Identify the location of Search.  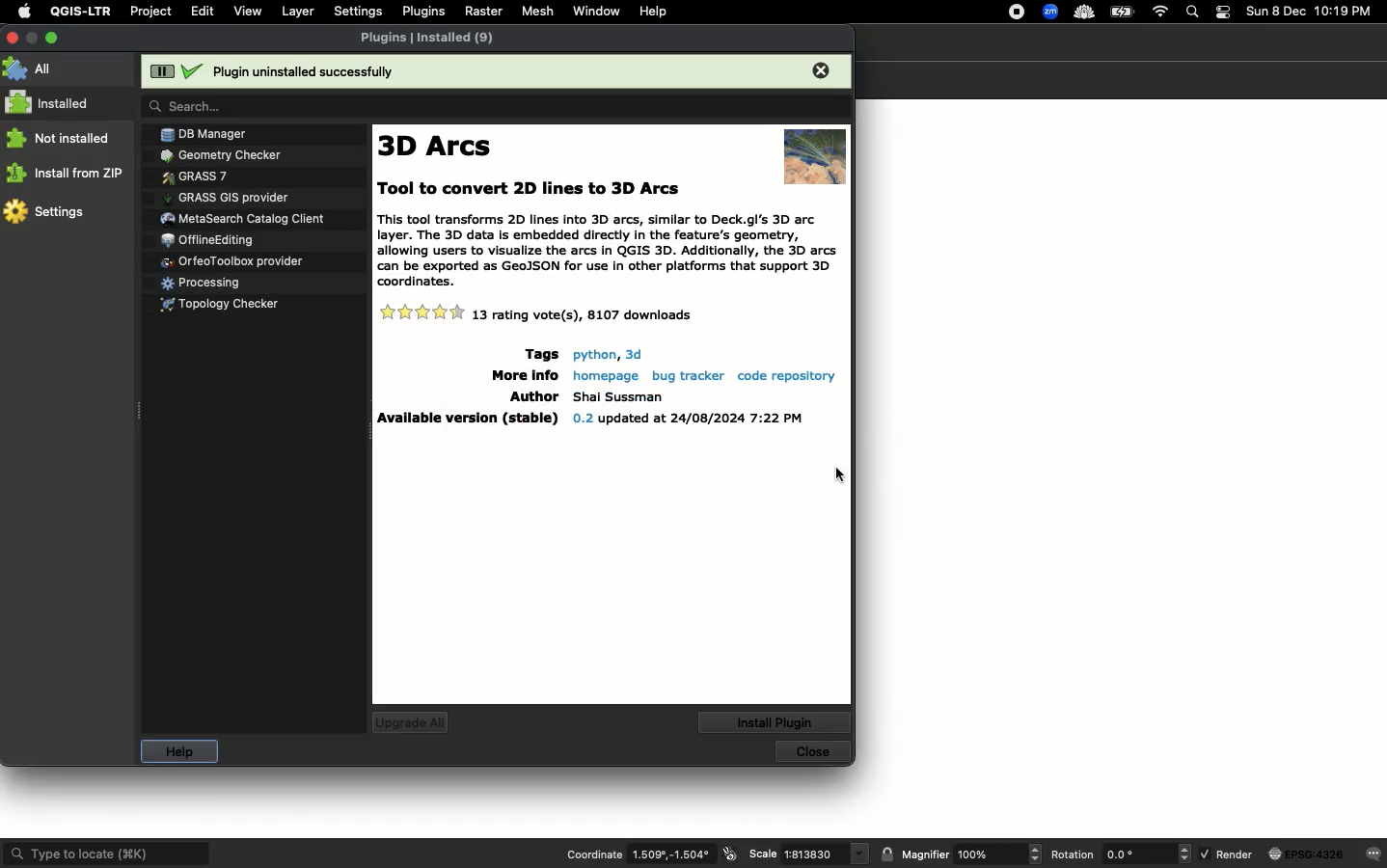
(1194, 12).